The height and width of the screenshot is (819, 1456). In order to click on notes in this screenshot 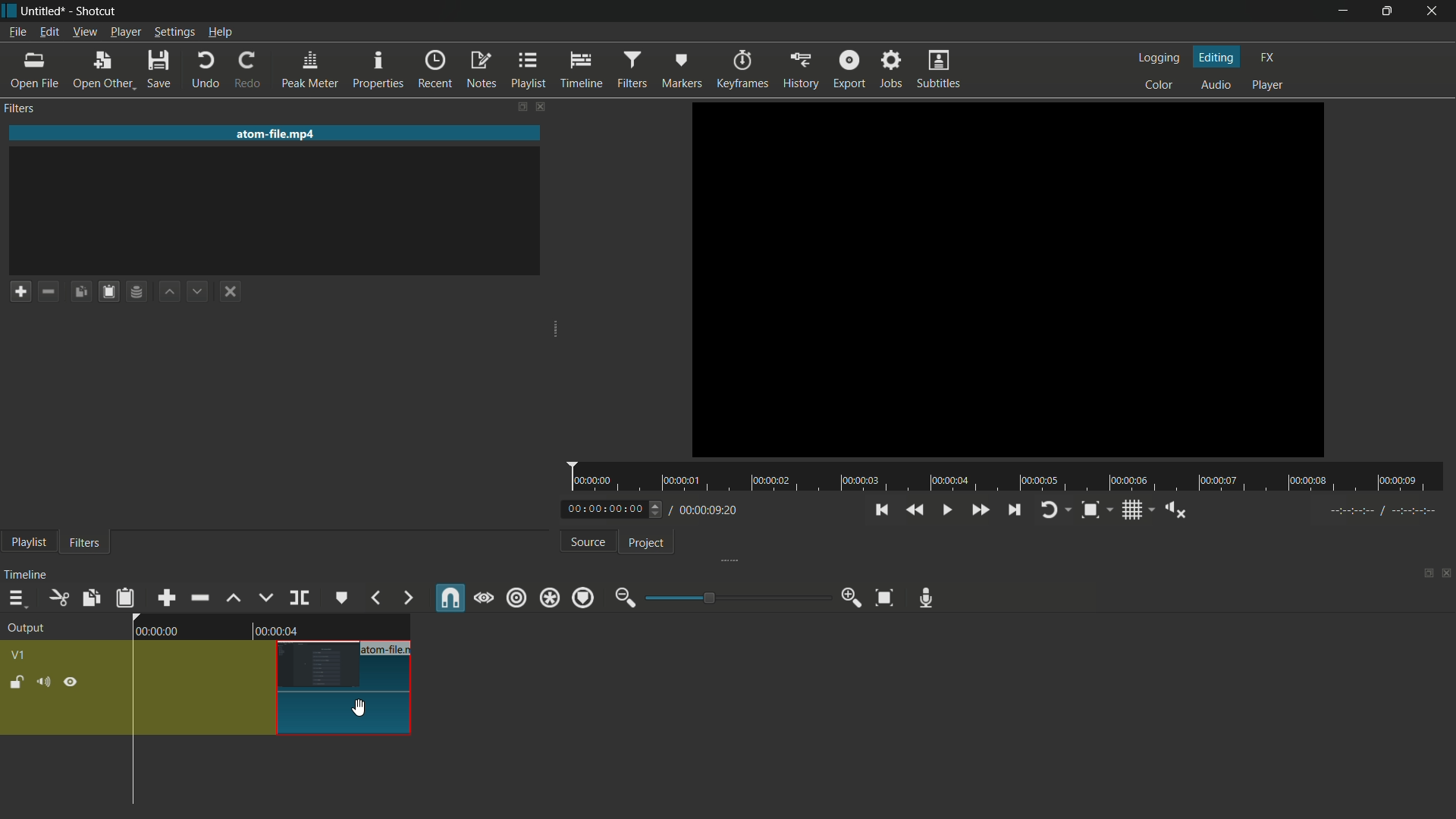, I will do `click(479, 68)`.